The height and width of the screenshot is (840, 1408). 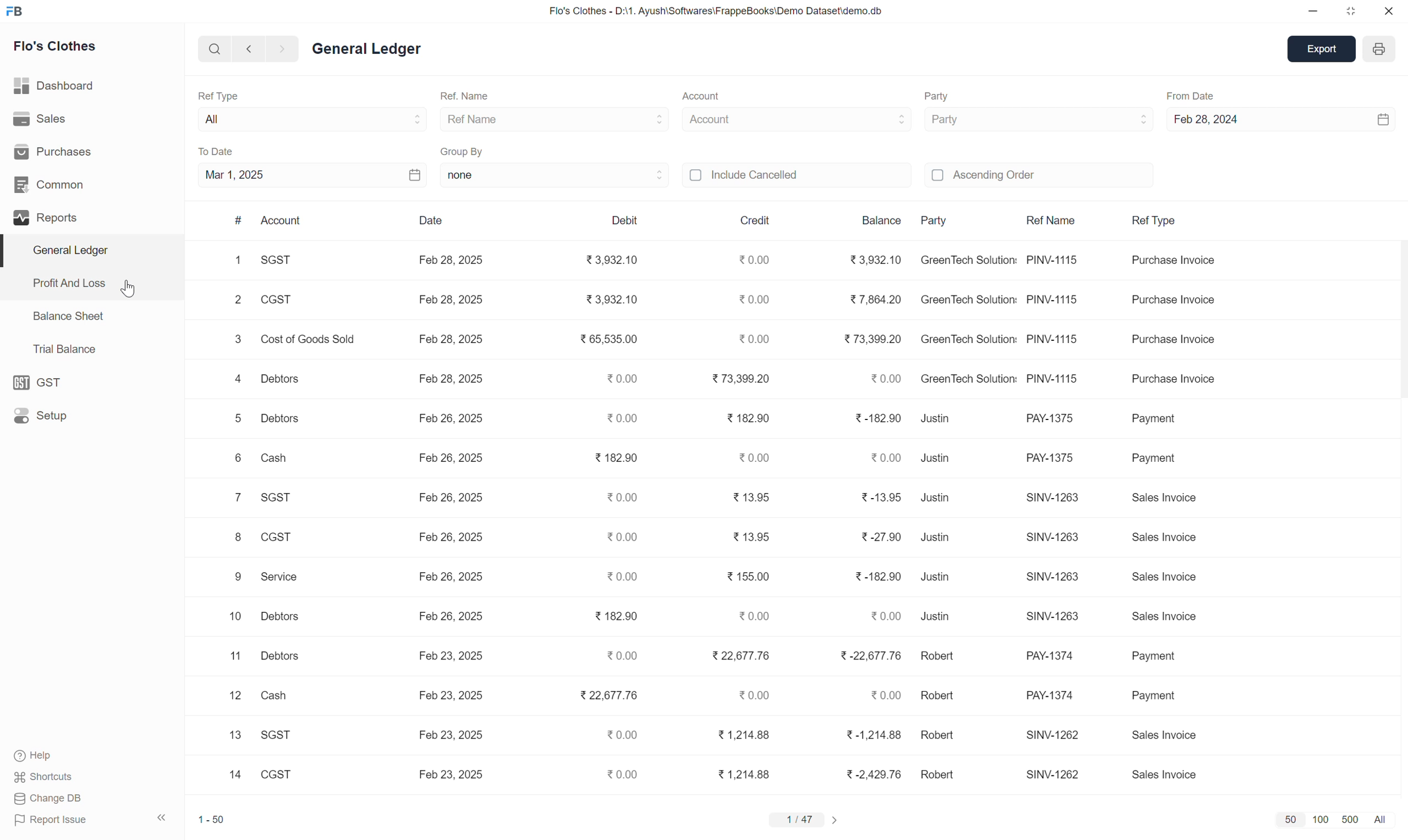 What do you see at coordinates (803, 821) in the screenshot?
I see `1/47 >` at bounding box center [803, 821].